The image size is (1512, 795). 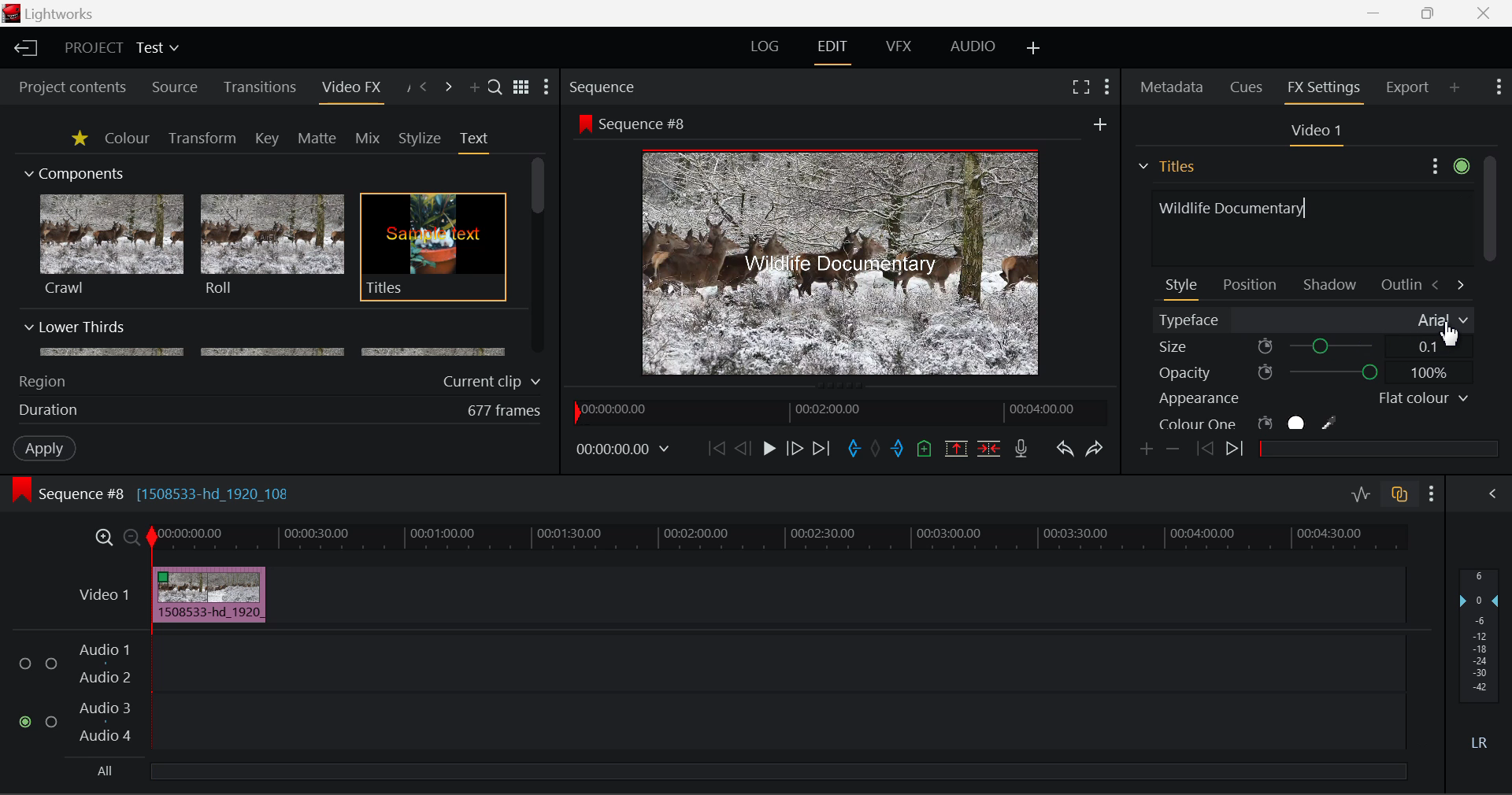 I want to click on Video FX Panel Open, so click(x=350, y=89).